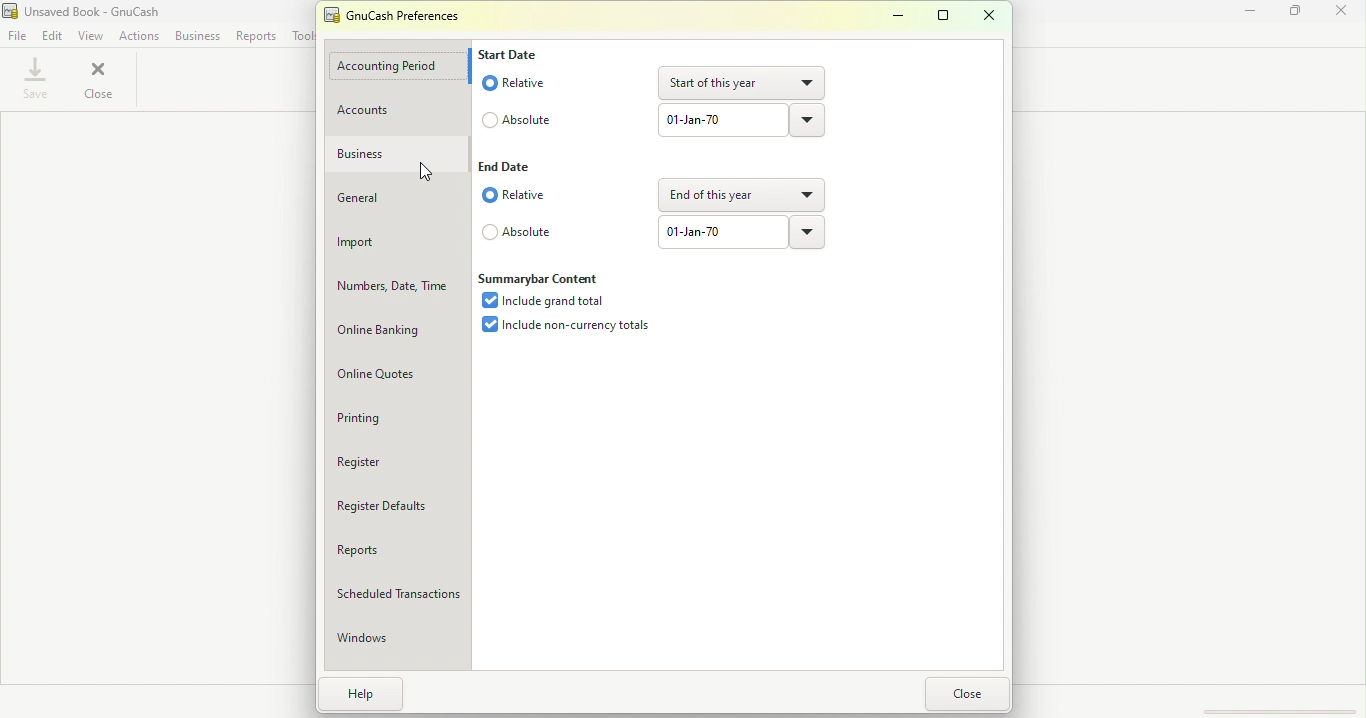 The height and width of the screenshot is (718, 1366). I want to click on Summarybar content, so click(549, 275).